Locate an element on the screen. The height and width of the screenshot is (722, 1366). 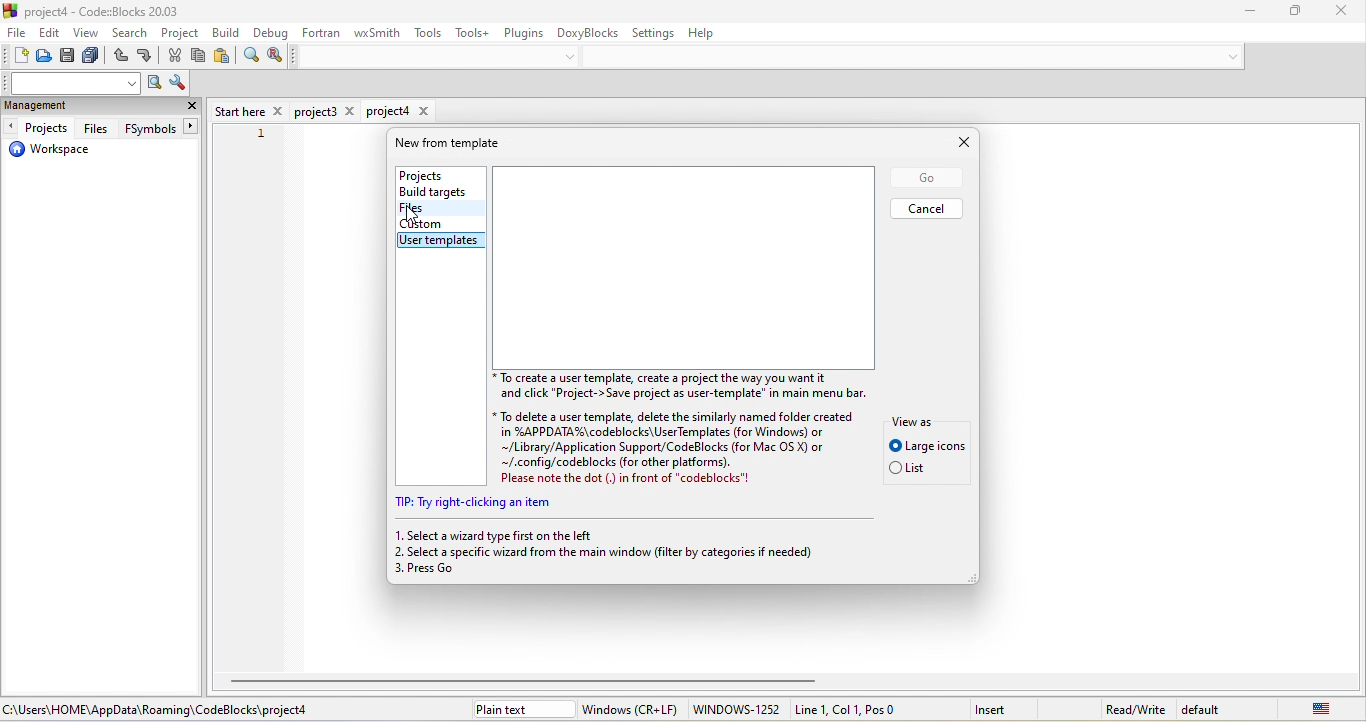
undo is located at coordinates (120, 58).